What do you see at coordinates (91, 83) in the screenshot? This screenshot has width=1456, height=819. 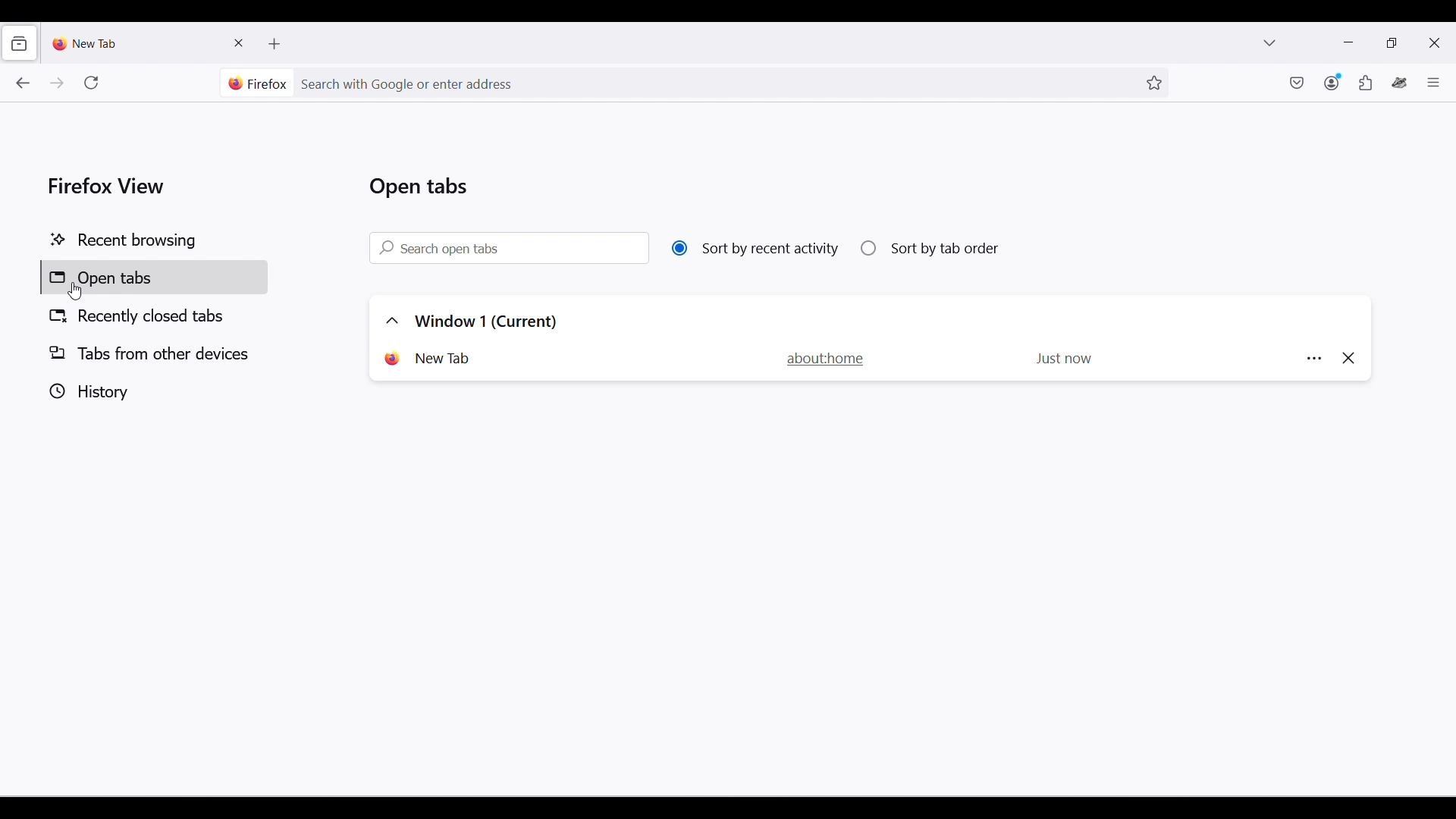 I see `Reload current page` at bounding box center [91, 83].